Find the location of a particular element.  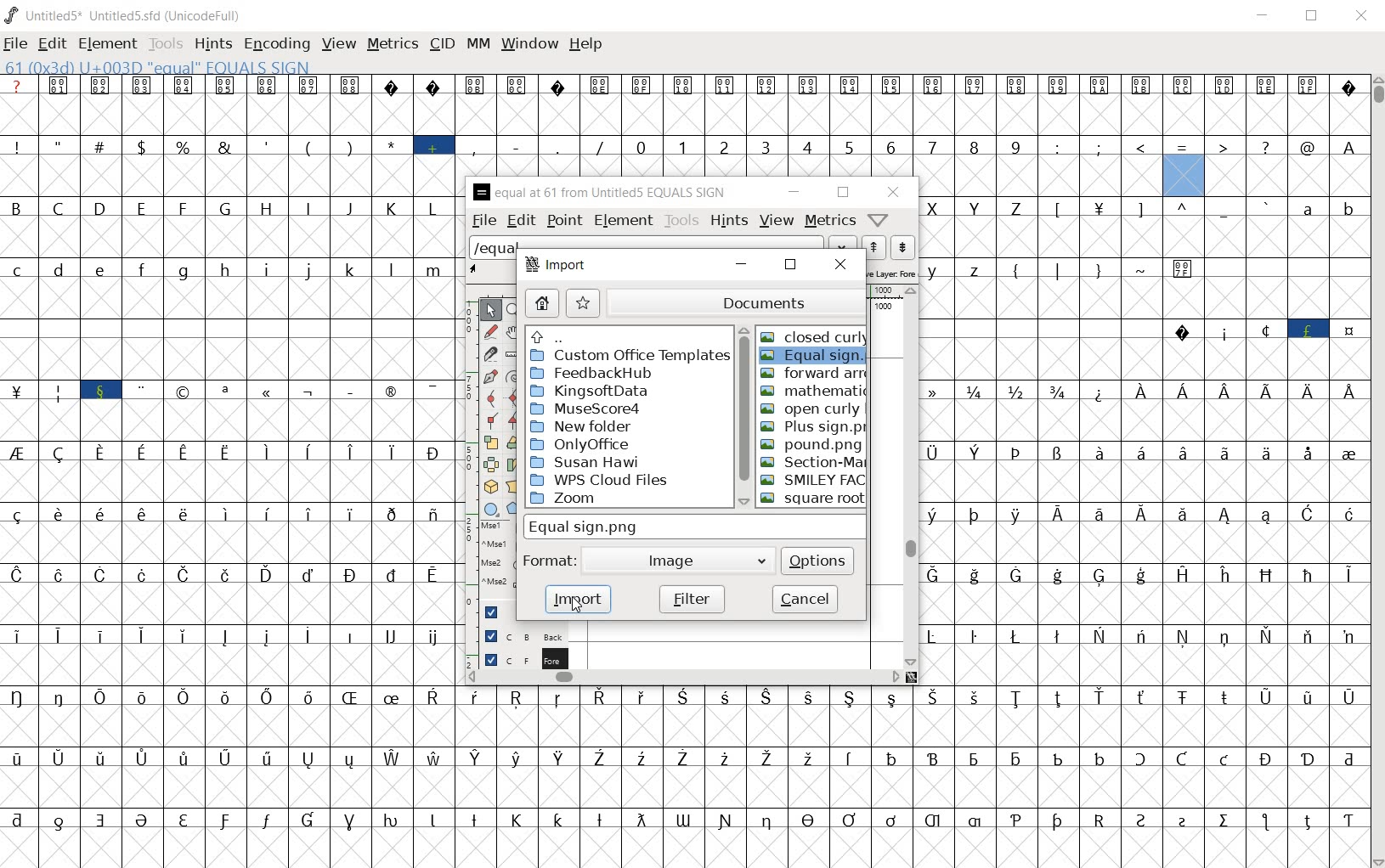

new folder is located at coordinates (582, 426).